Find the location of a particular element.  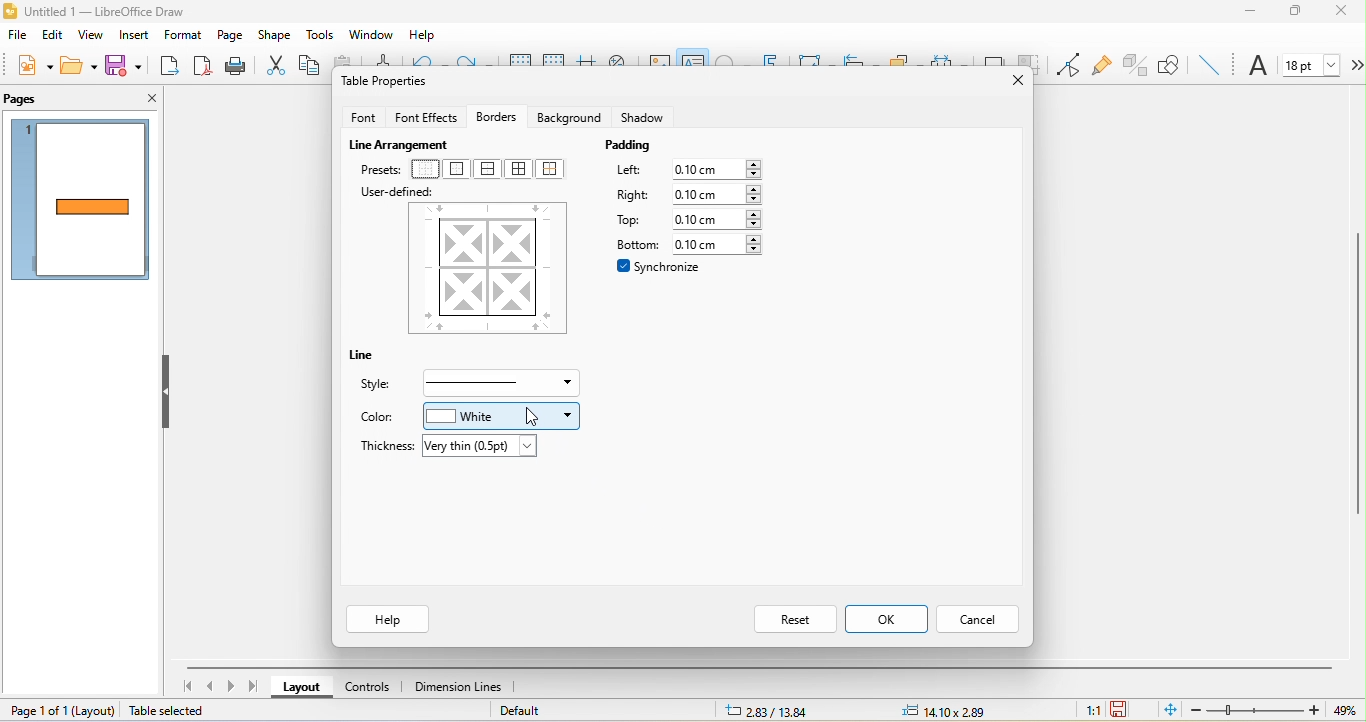

font is located at coordinates (362, 115).